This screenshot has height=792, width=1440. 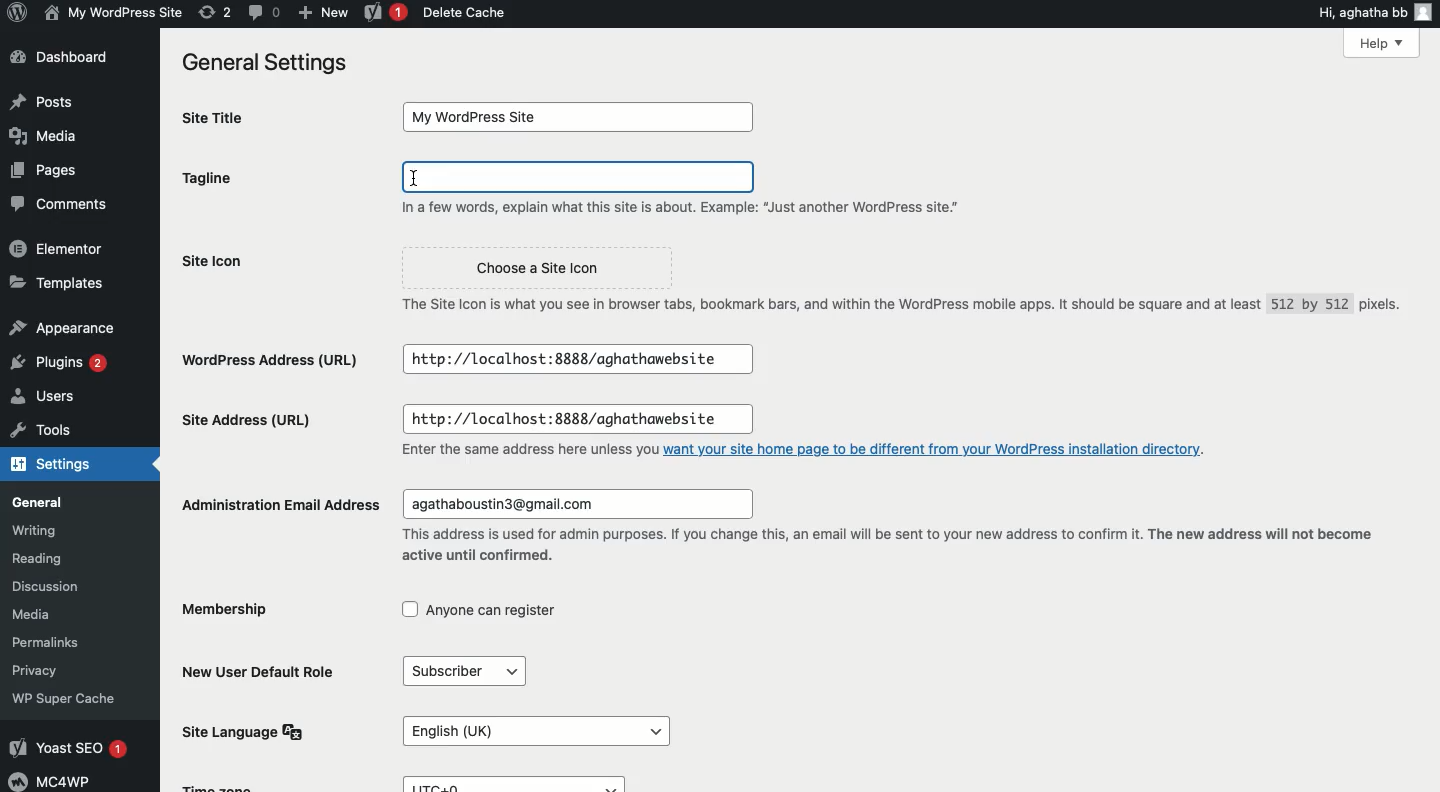 What do you see at coordinates (58, 363) in the screenshot?
I see `Plugins 2` at bounding box center [58, 363].